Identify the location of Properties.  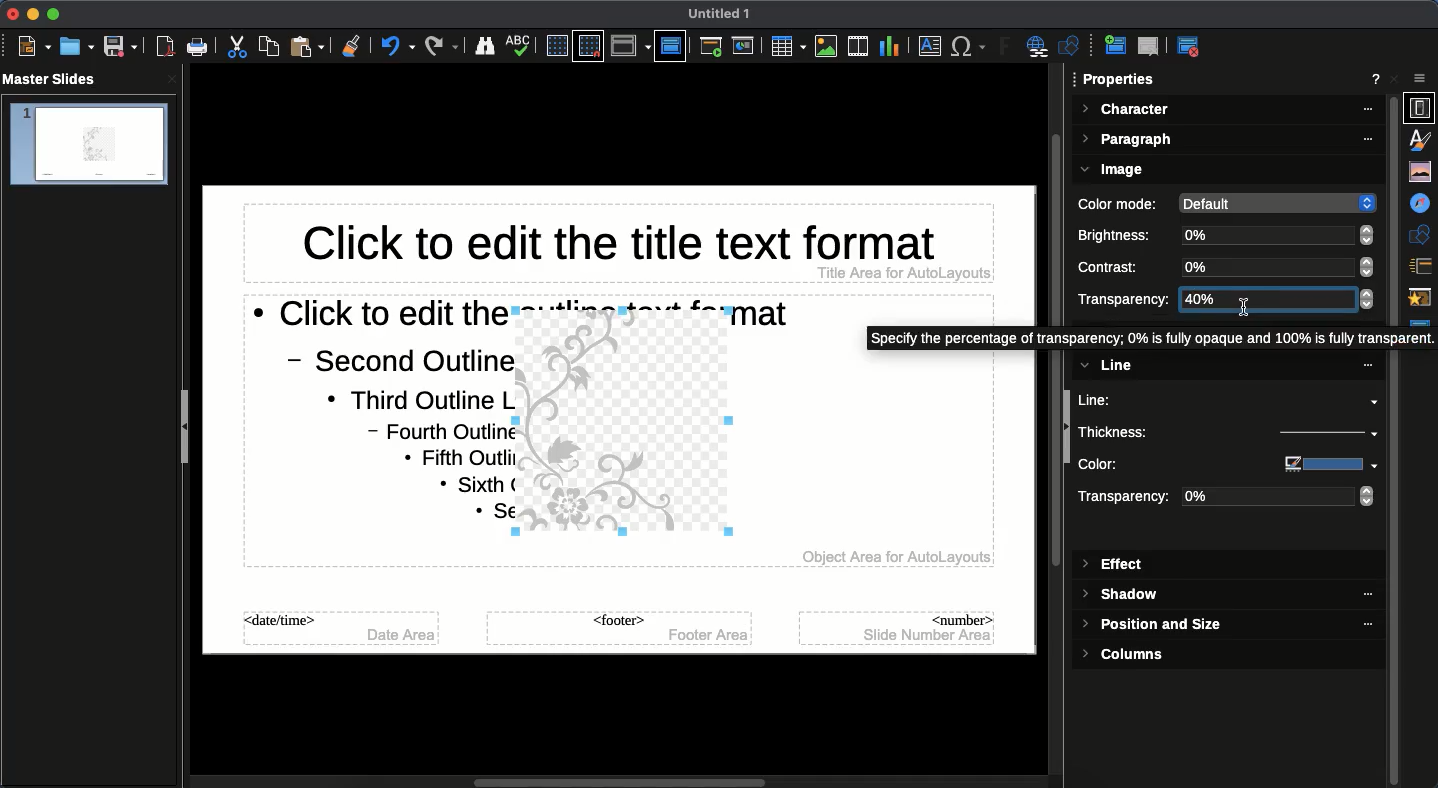
(1419, 108).